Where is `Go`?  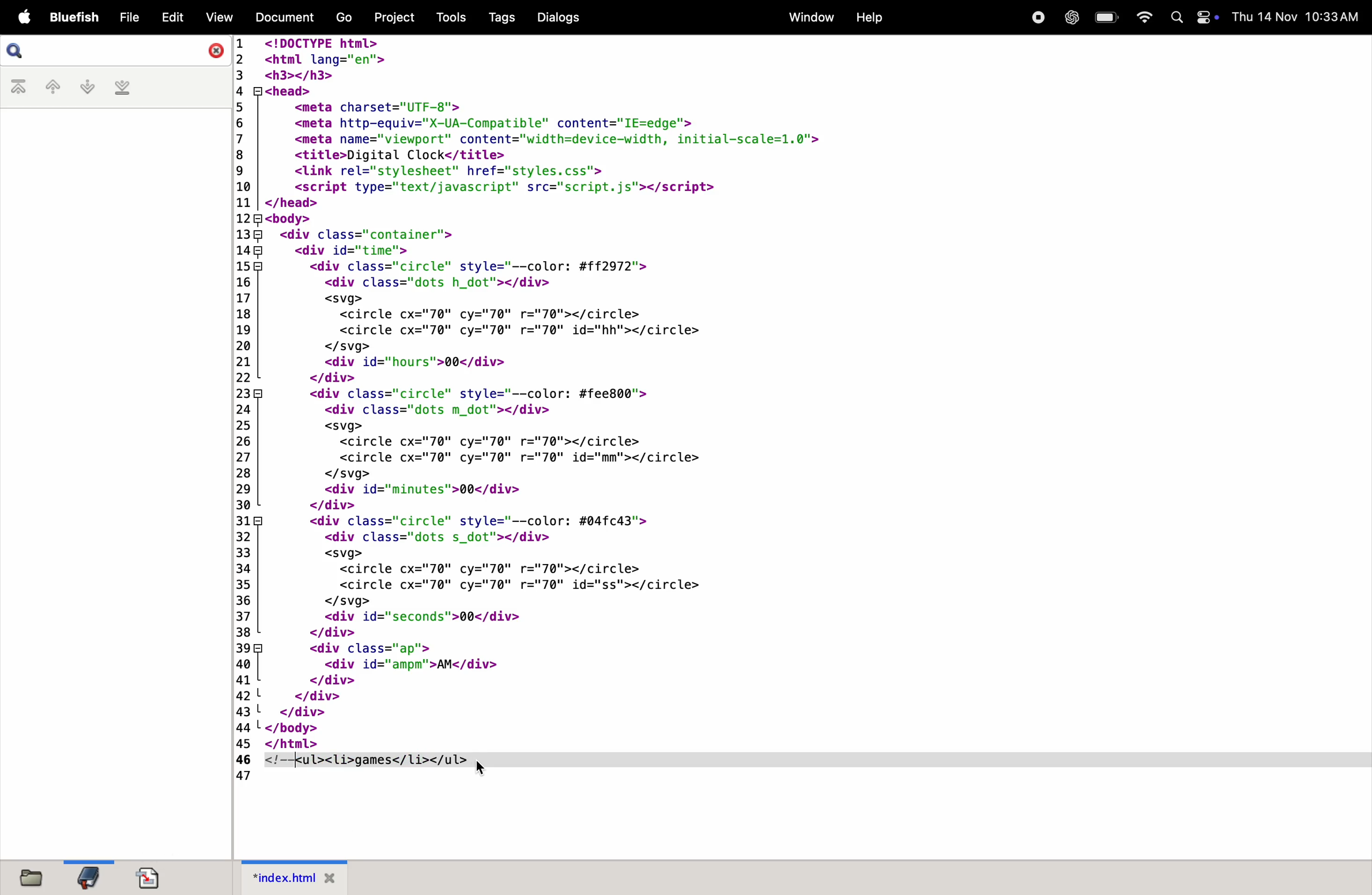 Go is located at coordinates (344, 17).